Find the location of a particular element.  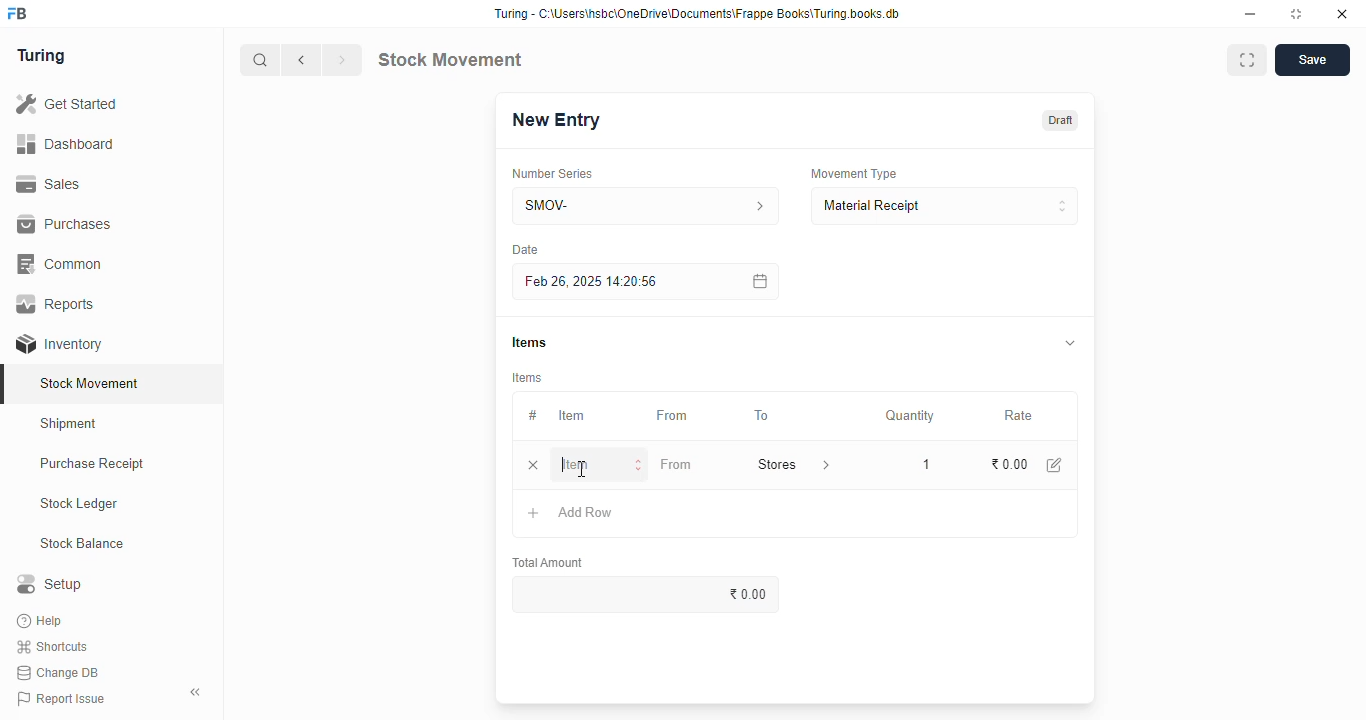

₹0.00 is located at coordinates (1010, 465).